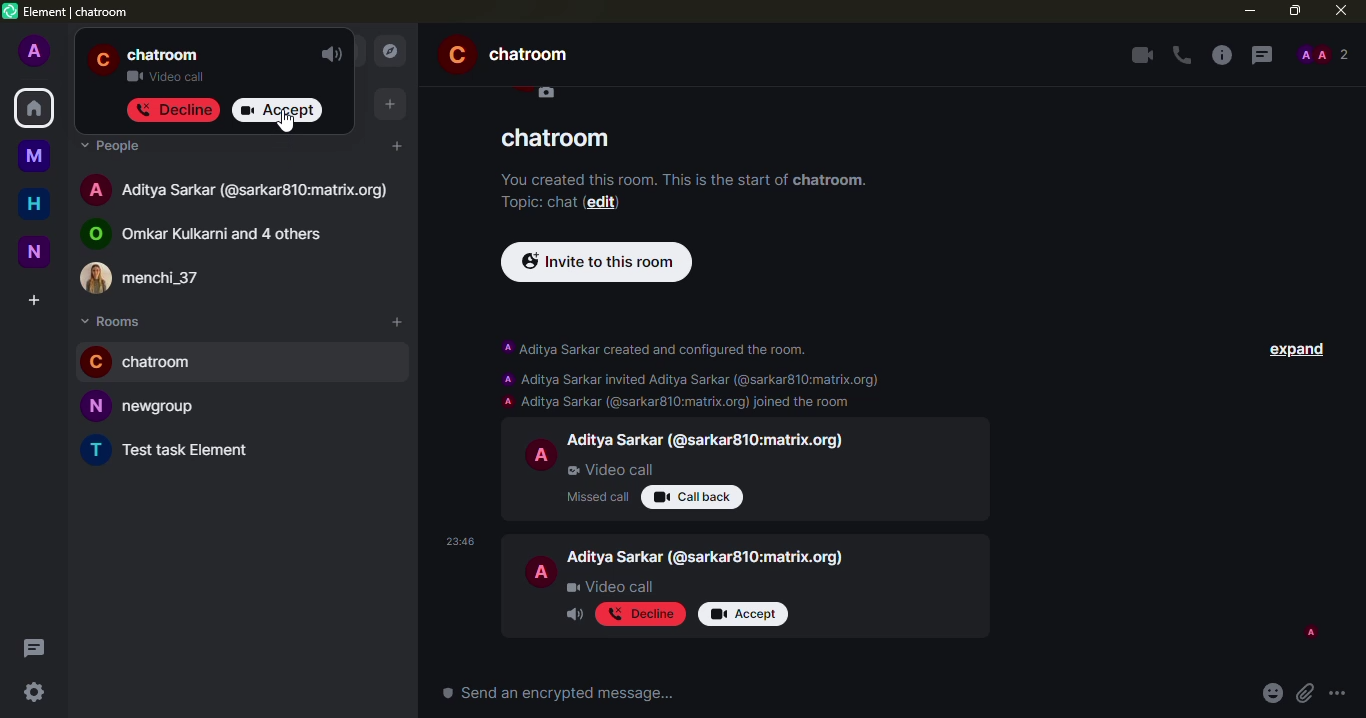 The height and width of the screenshot is (718, 1366). What do you see at coordinates (605, 202) in the screenshot?
I see `edit` at bounding box center [605, 202].